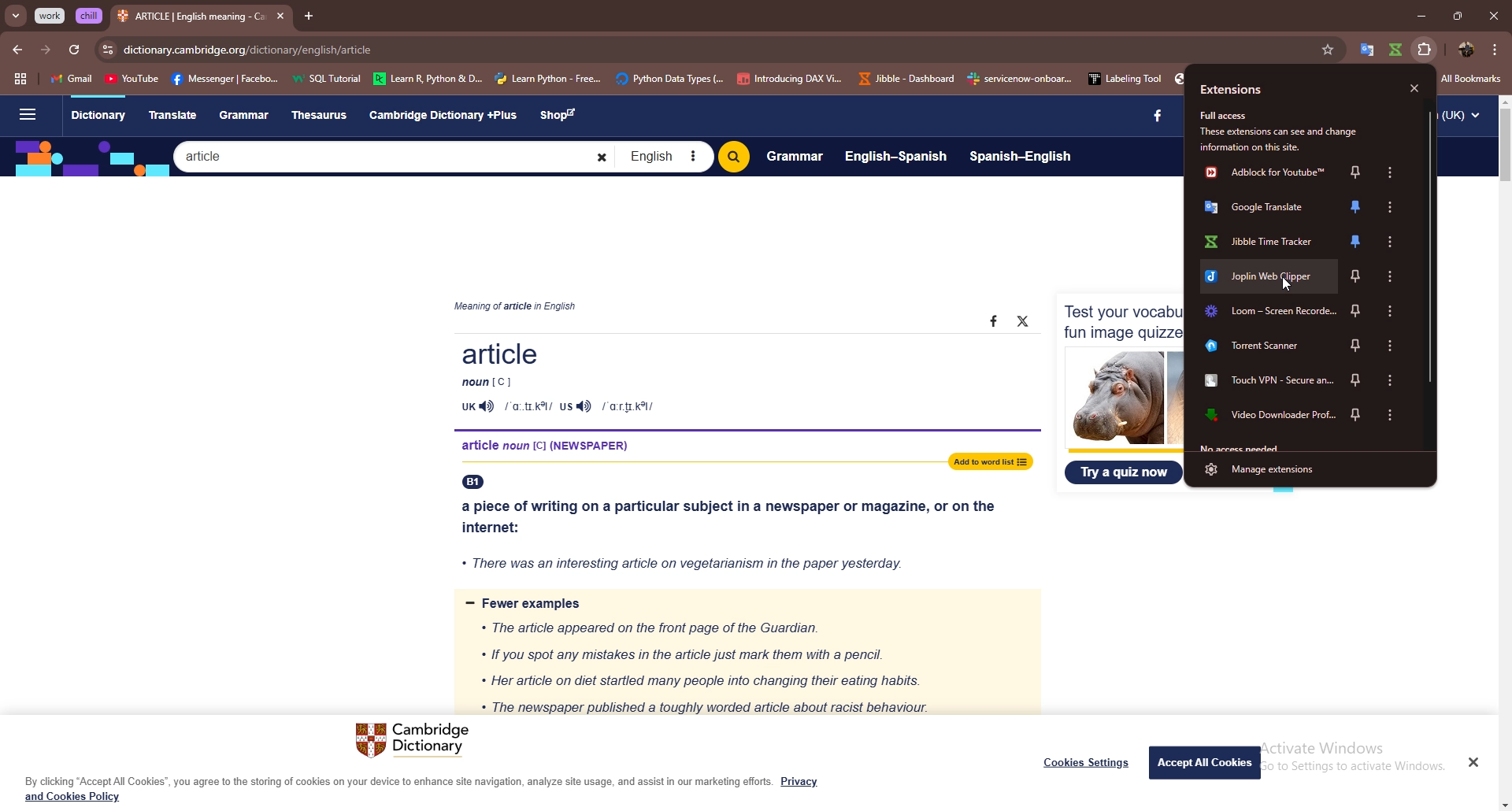 Image resolution: width=1512 pixels, height=811 pixels. Describe the element at coordinates (1396, 50) in the screenshot. I see `extension` at that location.